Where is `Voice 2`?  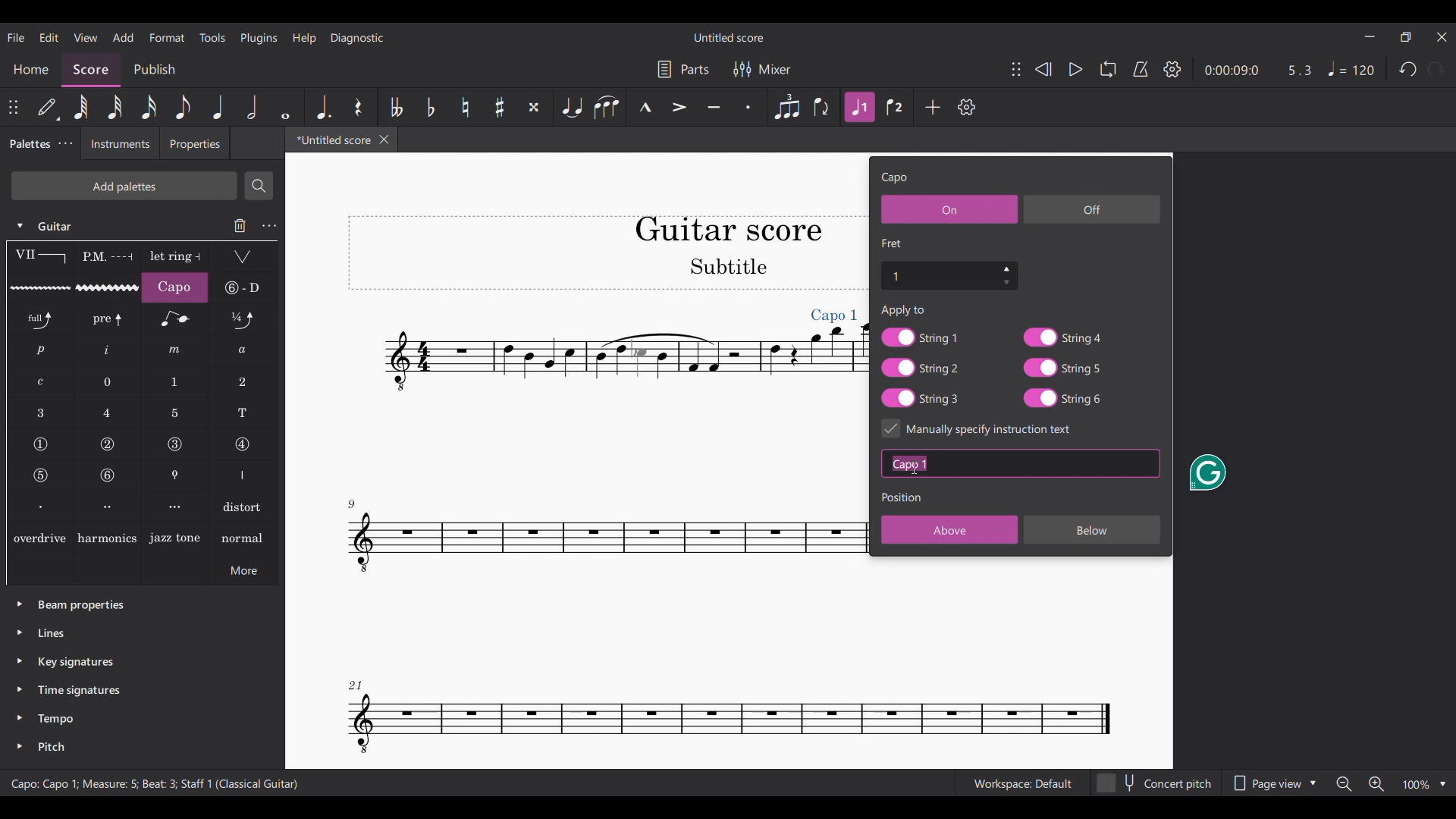 Voice 2 is located at coordinates (896, 107).